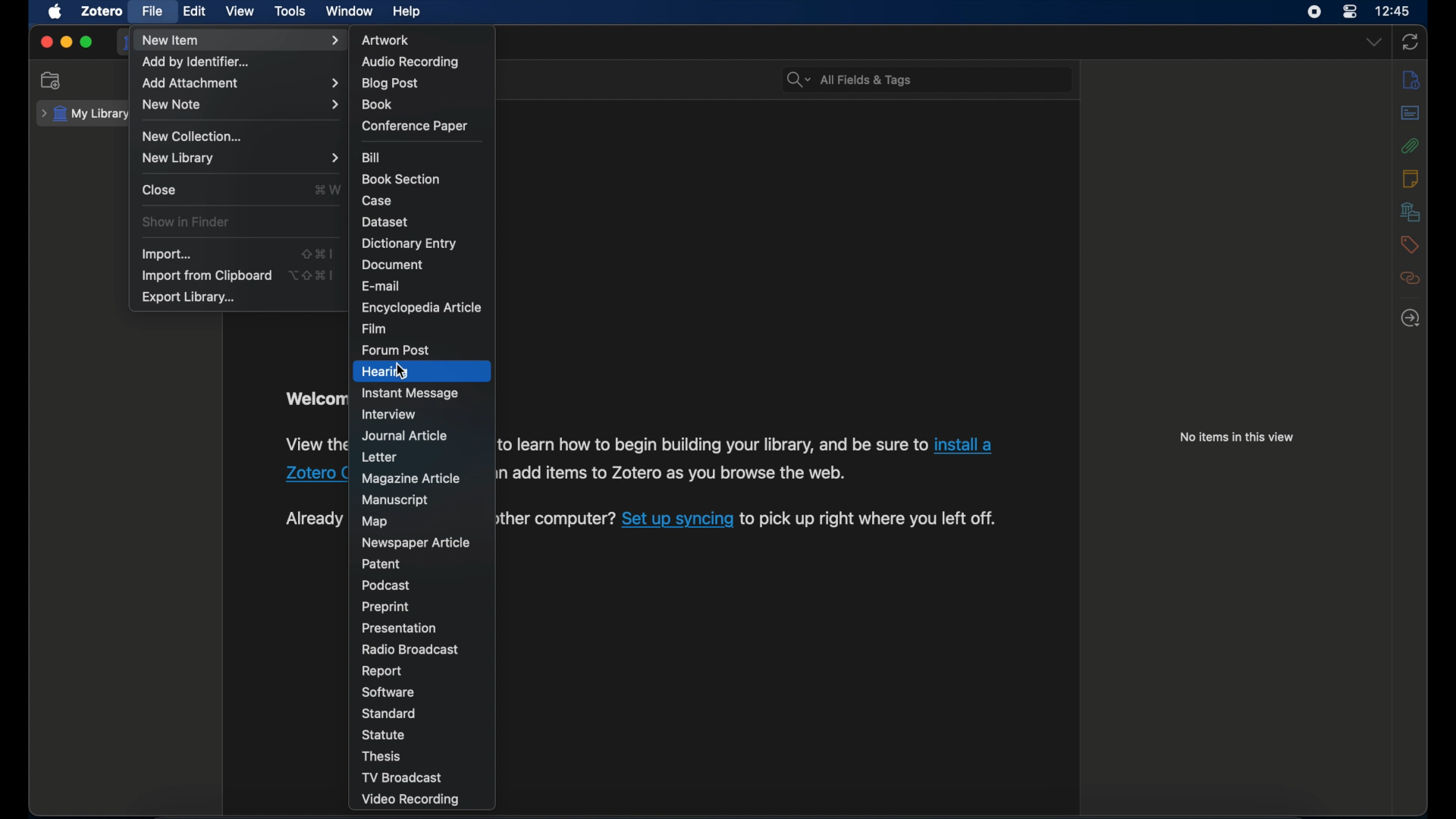  Describe the element at coordinates (379, 757) in the screenshot. I see `thesis` at that location.